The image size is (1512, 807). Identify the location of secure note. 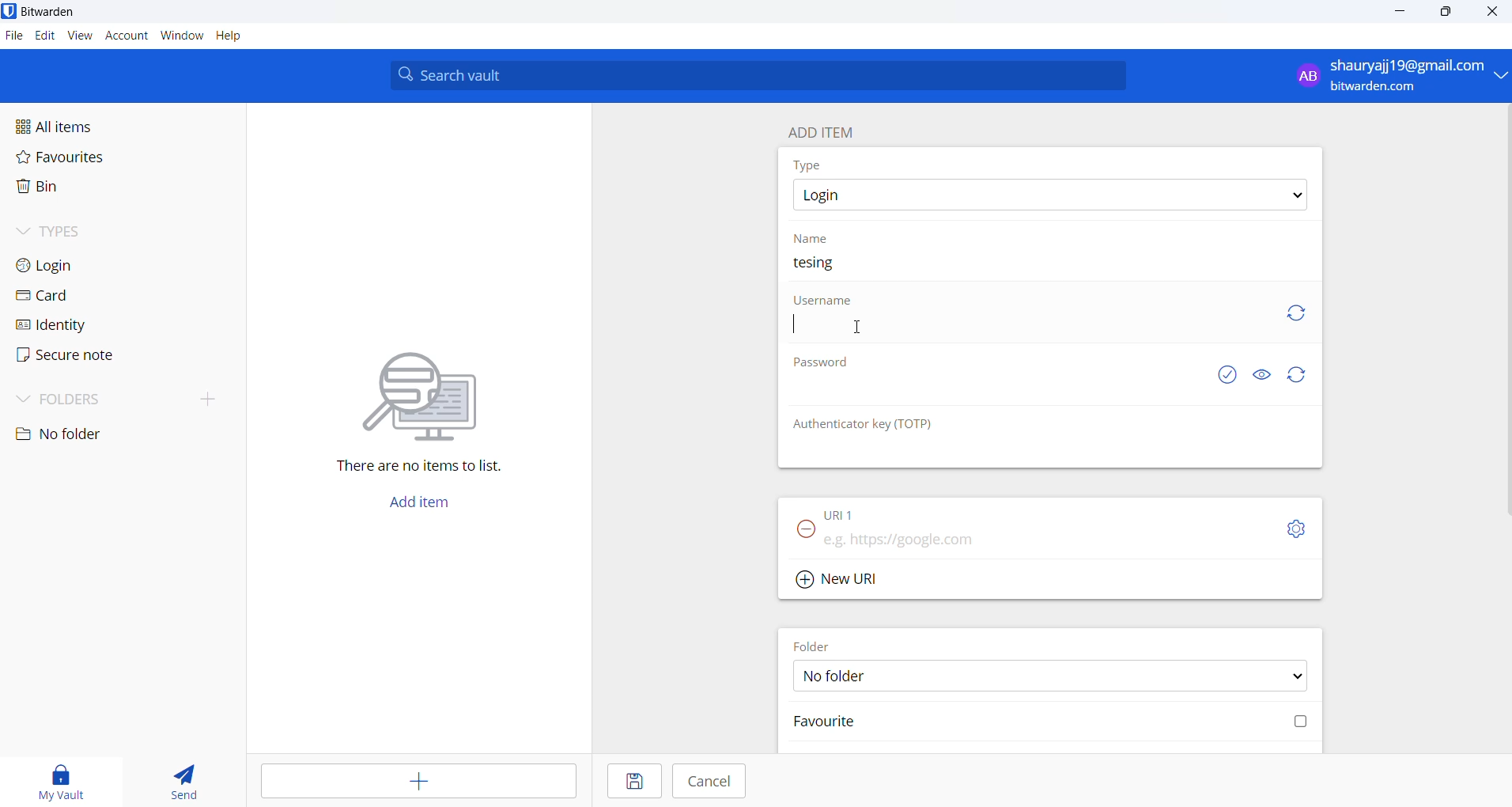
(85, 358).